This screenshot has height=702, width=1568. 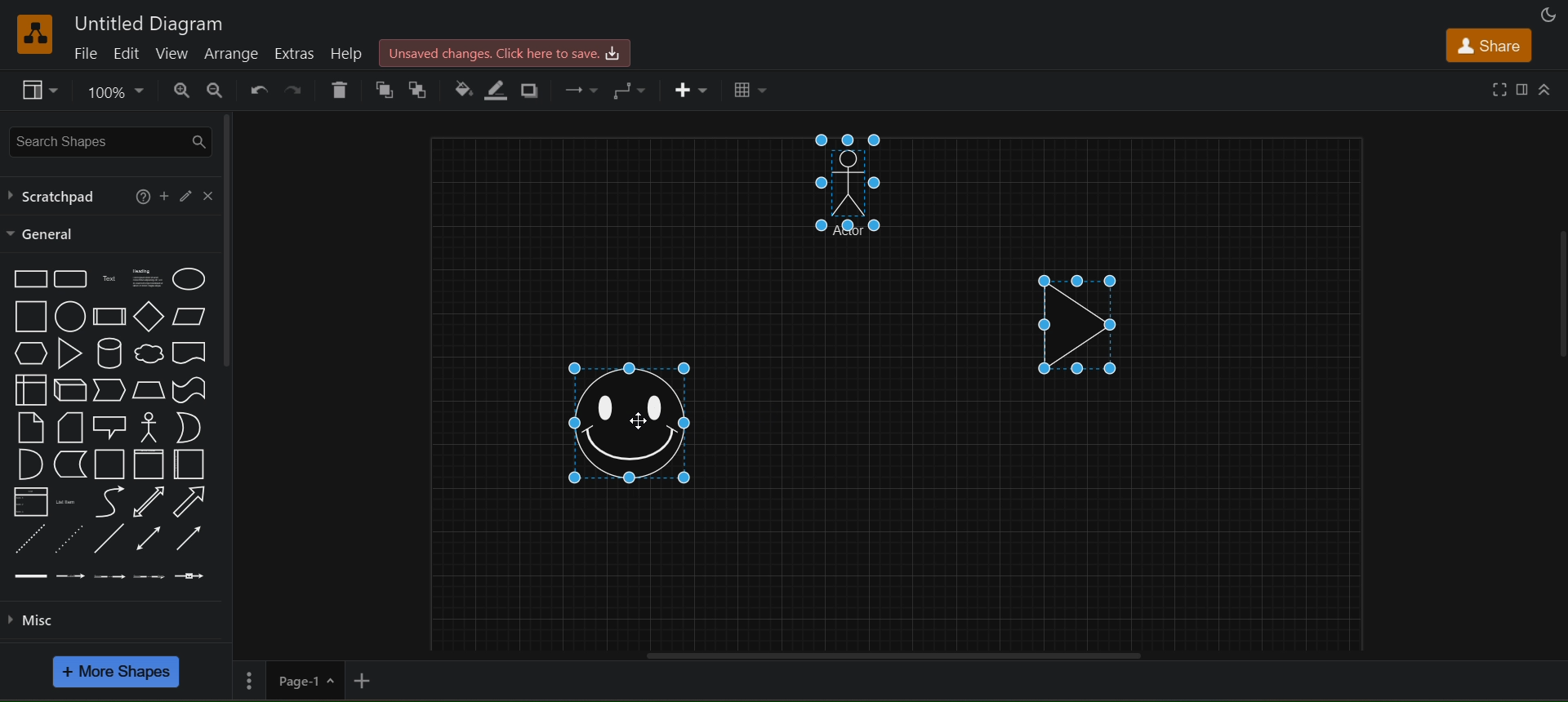 What do you see at coordinates (189, 464) in the screenshot?
I see `horizontal container` at bounding box center [189, 464].